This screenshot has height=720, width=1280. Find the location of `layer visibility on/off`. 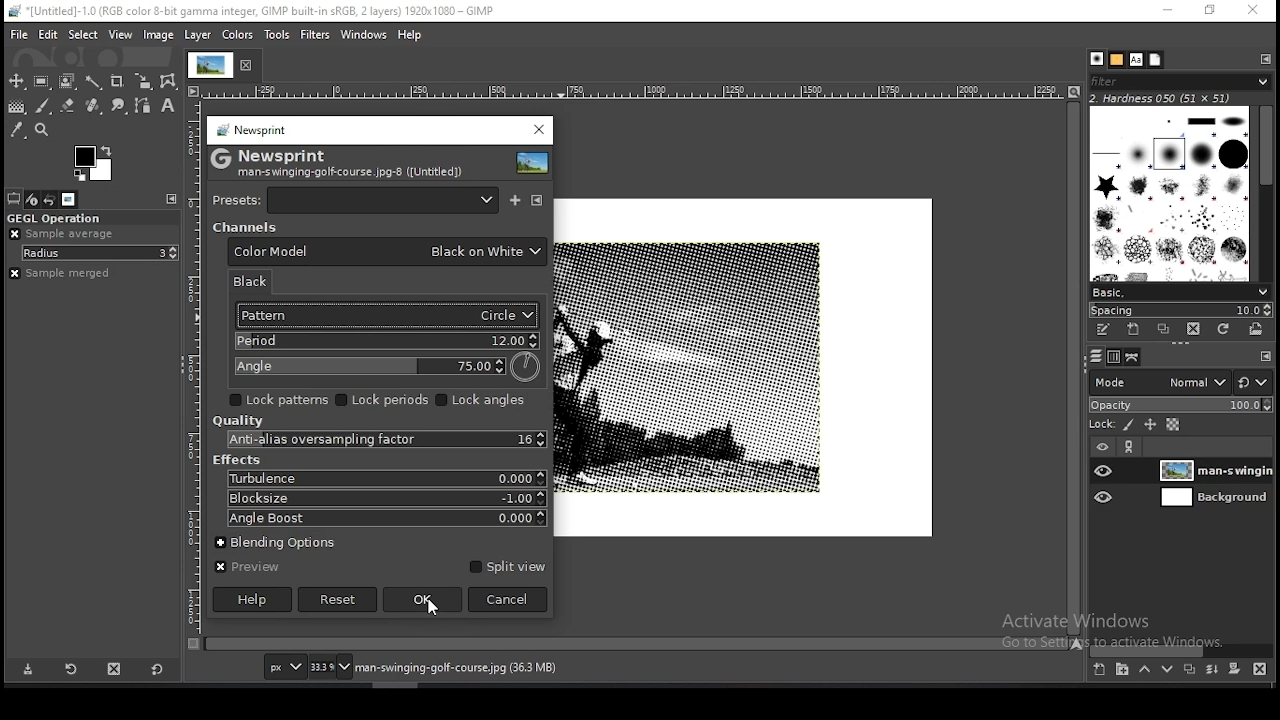

layer visibility on/off is located at coordinates (1103, 472).